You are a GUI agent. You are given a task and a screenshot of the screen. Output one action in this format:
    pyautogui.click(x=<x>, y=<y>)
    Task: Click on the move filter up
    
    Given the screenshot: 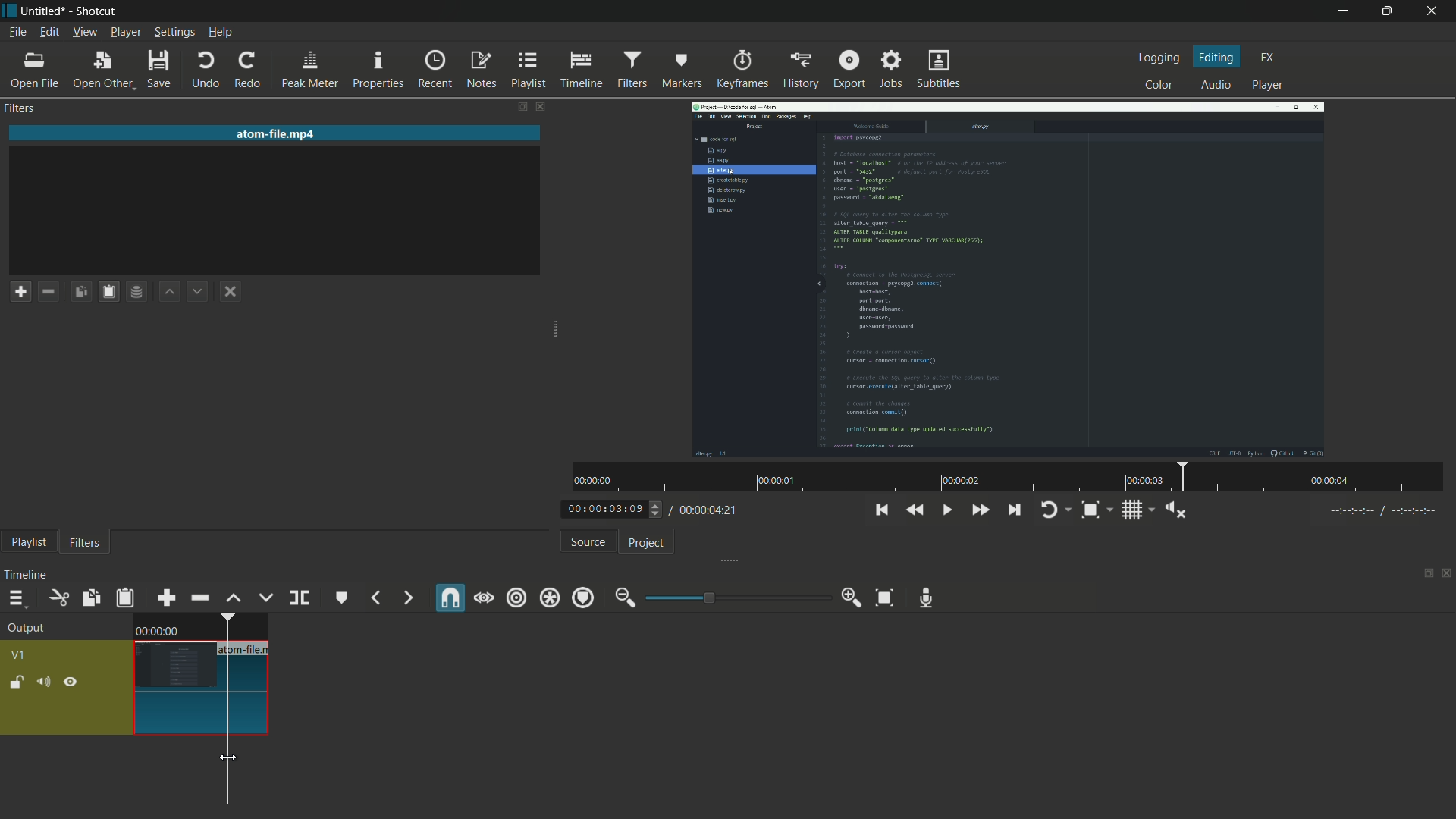 What is the action you would take?
    pyautogui.click(x=171, y=291)
    